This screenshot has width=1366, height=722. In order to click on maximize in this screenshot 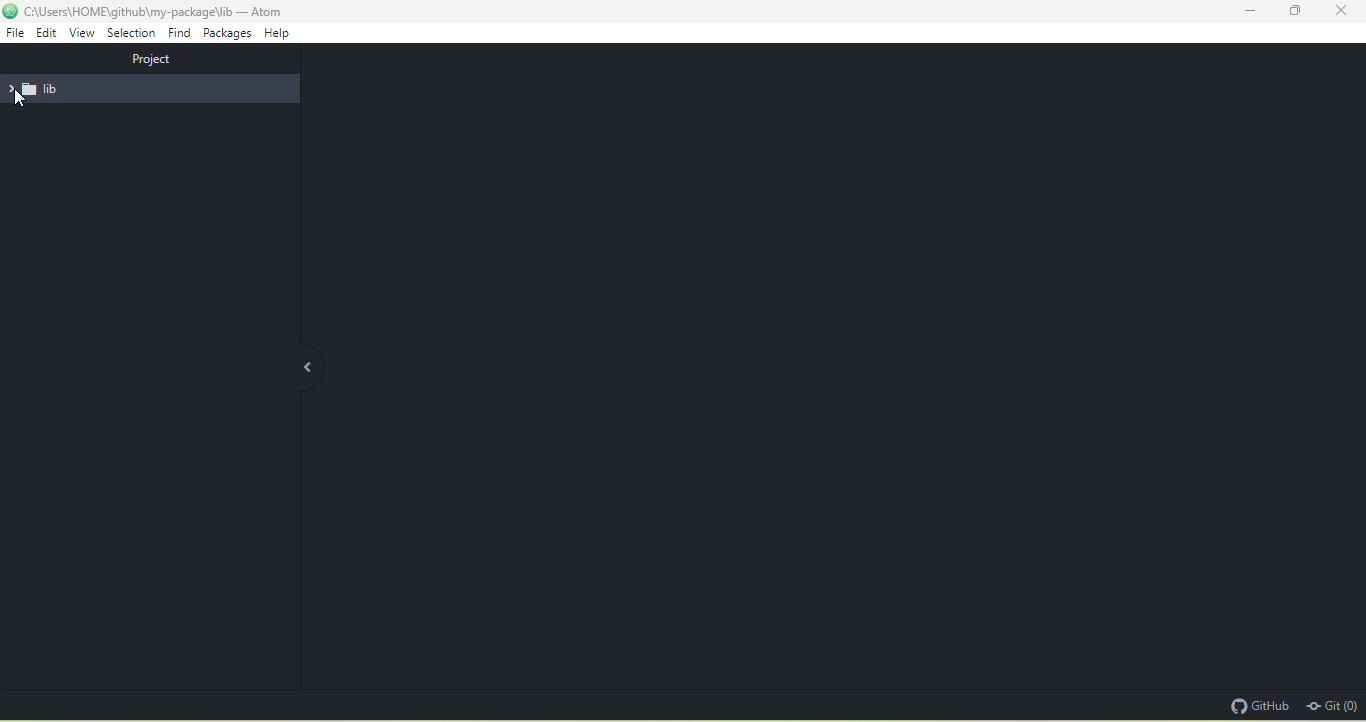, I will do `click(1297, 11)`.